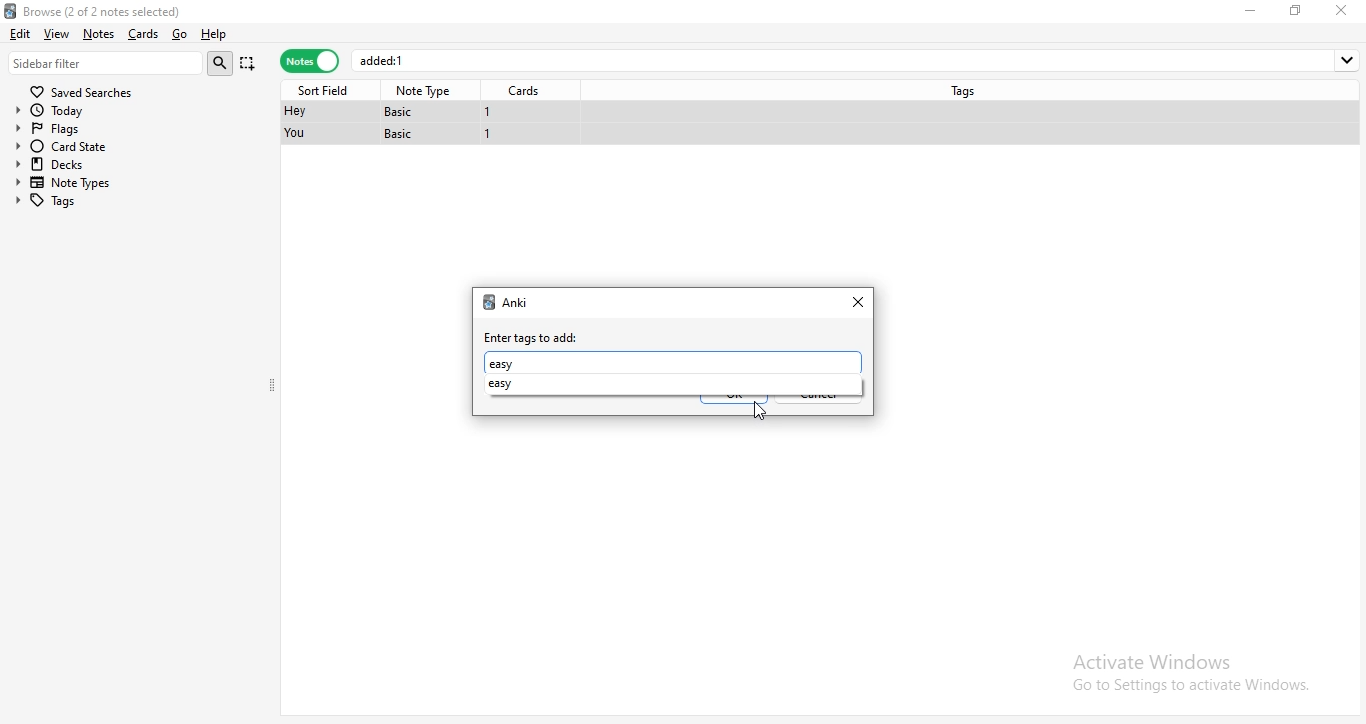 The height and width of the screenshot is (724, 1366). What do you see at coordinates (968, 89) in the screenshot?
I see `tags` at bounding box center [968, 89].